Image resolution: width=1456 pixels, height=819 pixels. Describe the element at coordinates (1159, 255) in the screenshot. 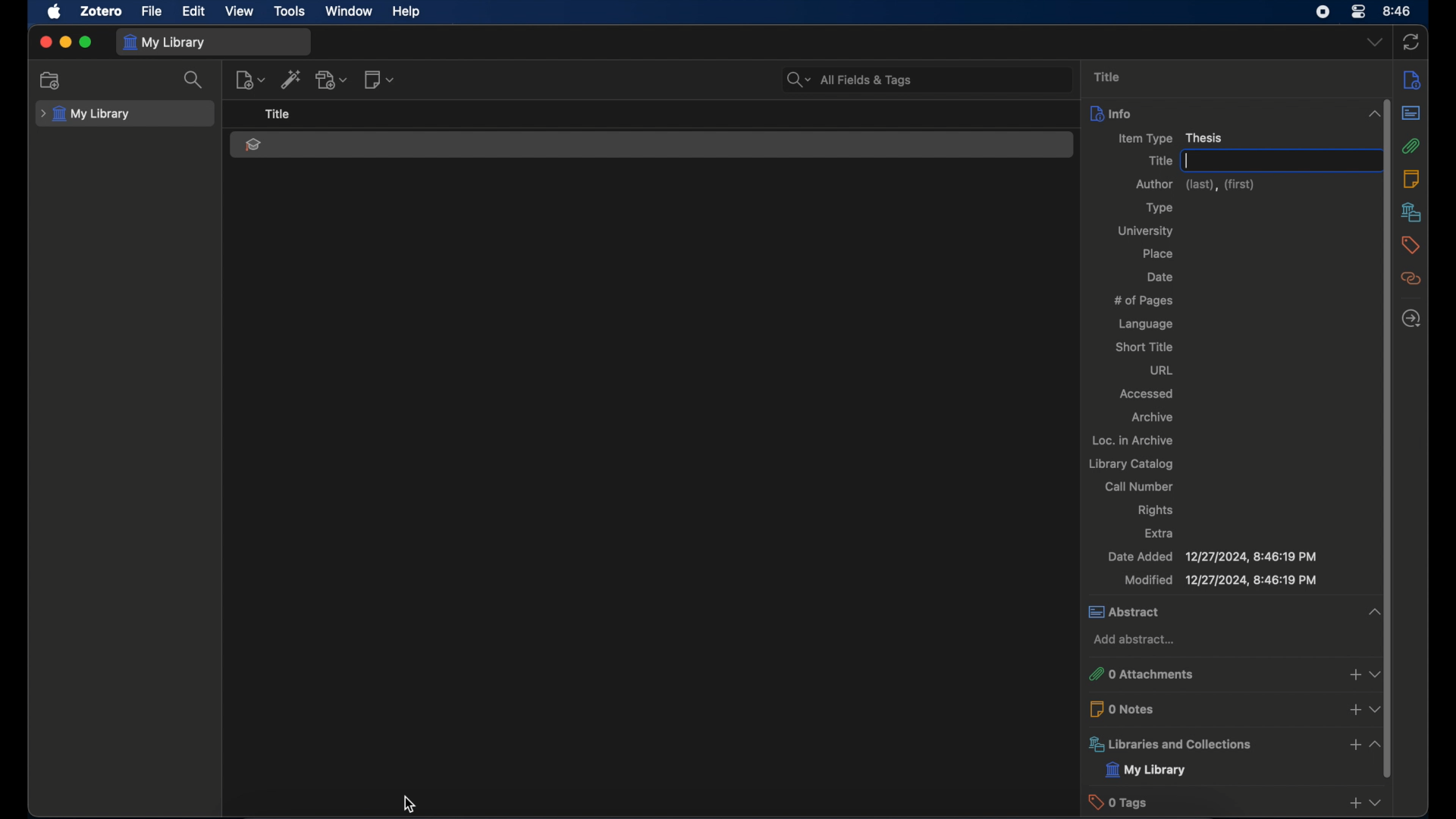

I see `place` at that location.